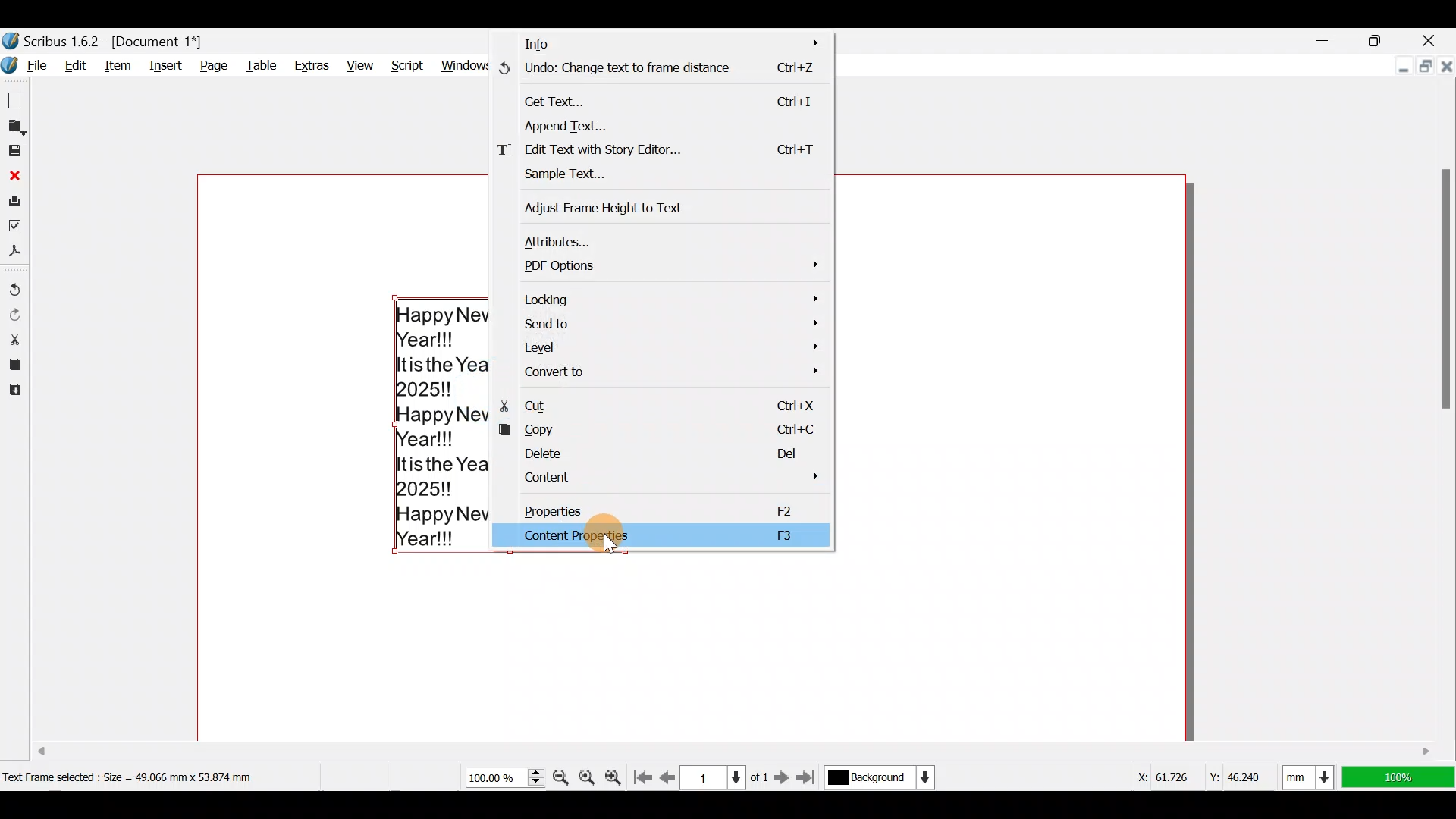  Describe the element at coordinates (17, 313) in the screenshot. I see `Redo` at that location.